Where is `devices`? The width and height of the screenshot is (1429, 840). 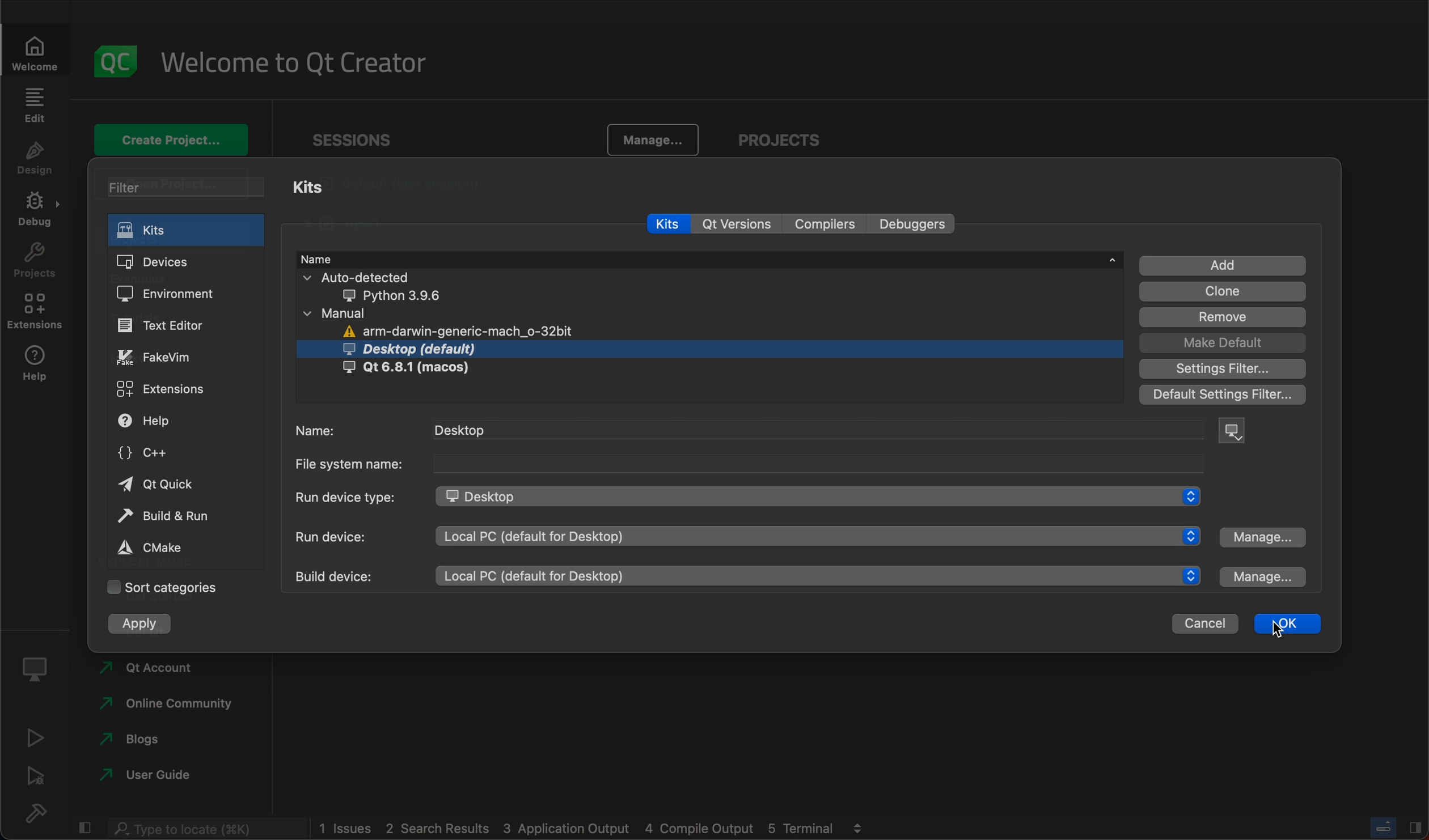
devices is located at coordinates (185, 264).